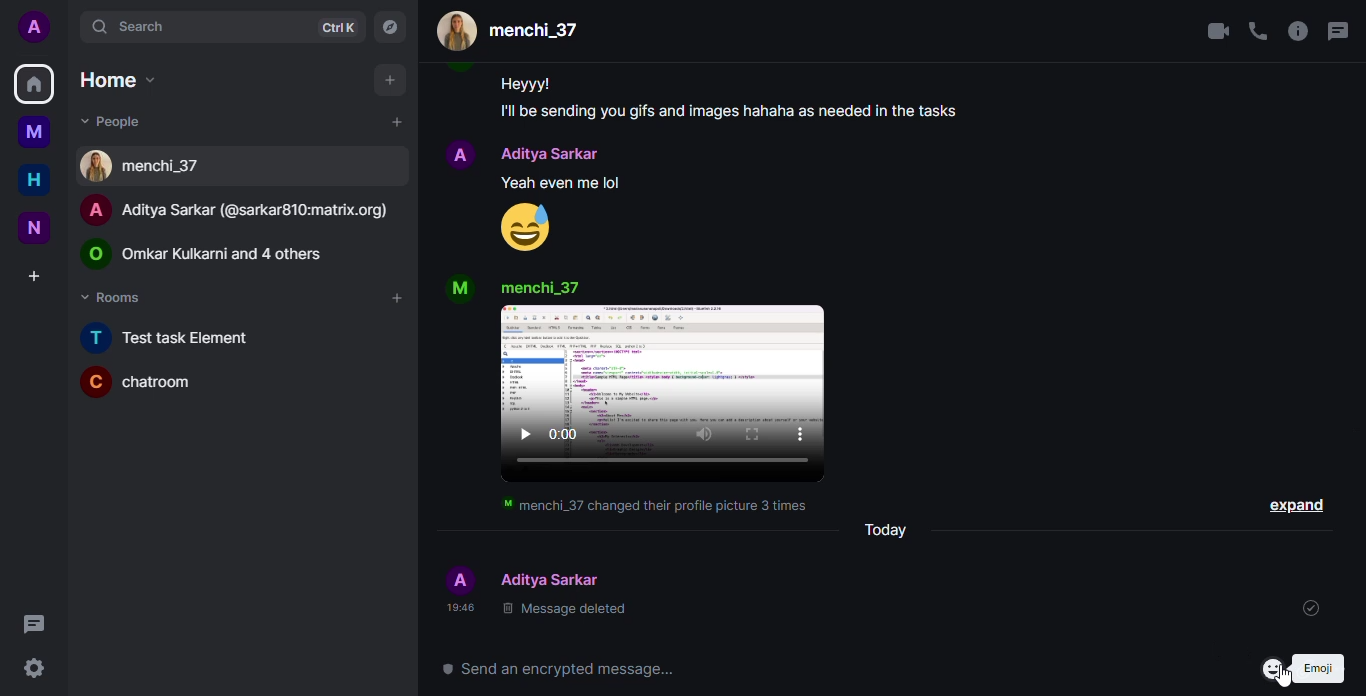 This screenshot has height=696, width=1366. What do you see at coordinates (456, 577) in the screenshot?
I see `profile` at bounding box center [456, 577].